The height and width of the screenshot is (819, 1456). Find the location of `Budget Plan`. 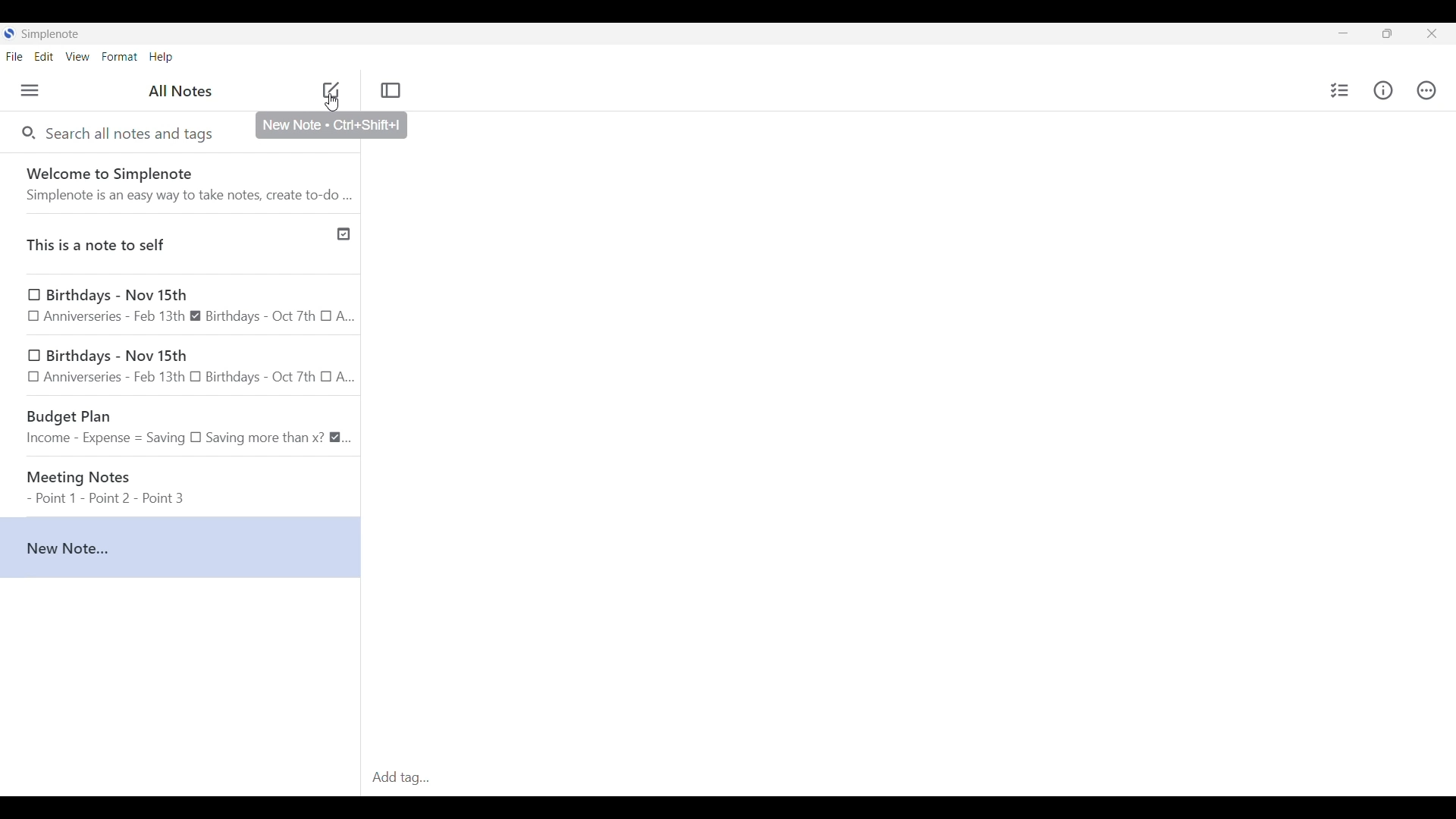

Budget Plan is located at coordinates (181, 424).